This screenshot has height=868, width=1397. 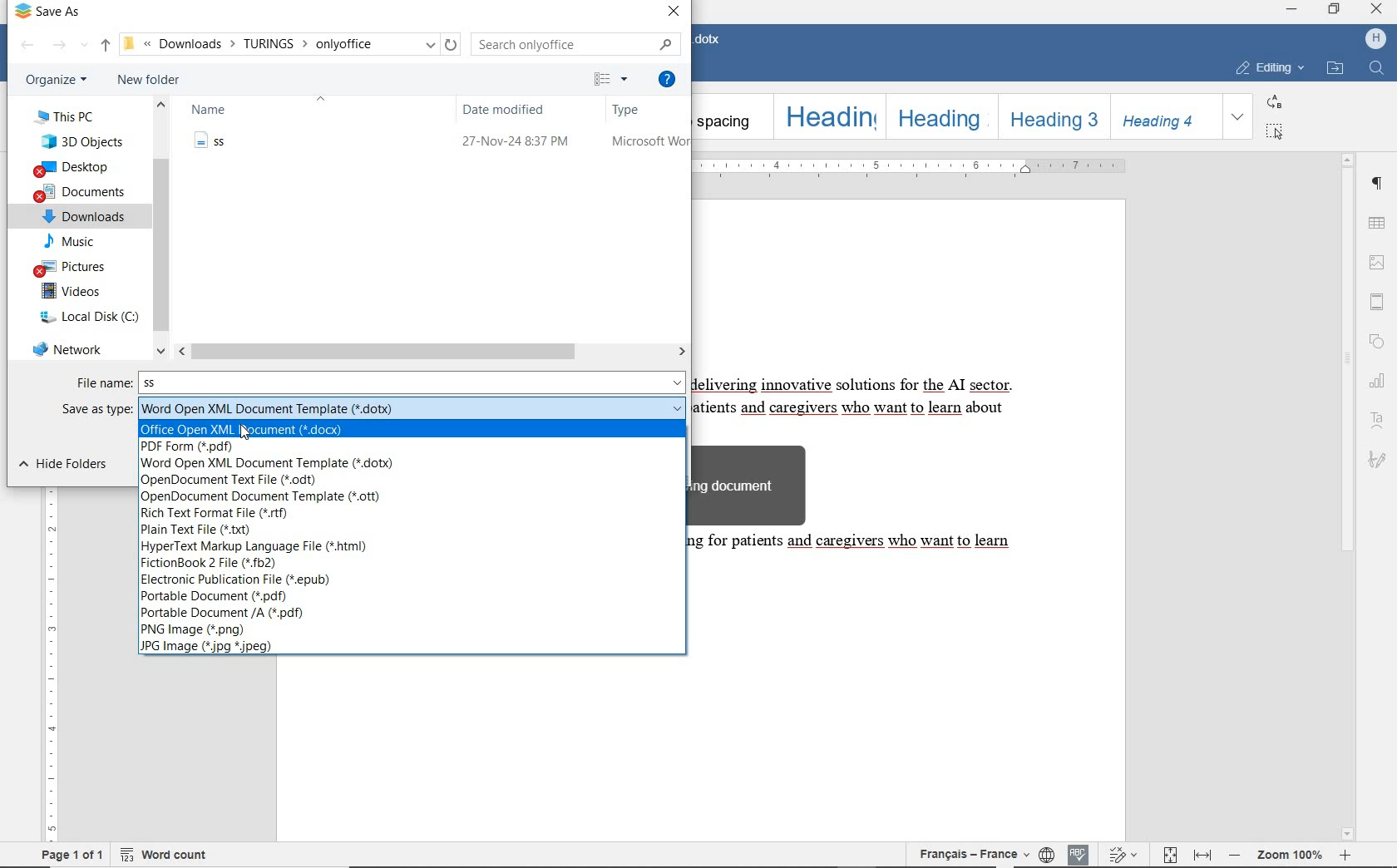 I want to click on pdf, so click(x=230, y=614).